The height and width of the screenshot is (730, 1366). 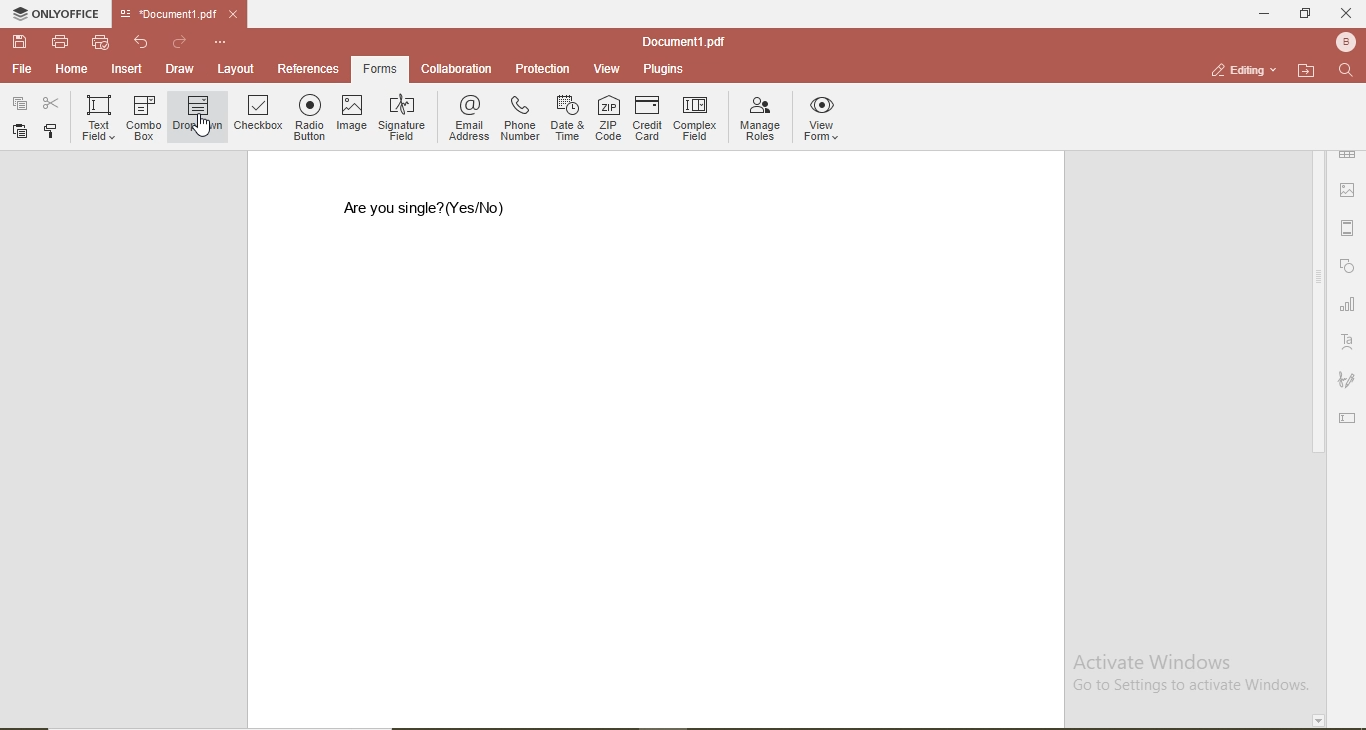 I want to click on close, so click(x=1347, y=14).